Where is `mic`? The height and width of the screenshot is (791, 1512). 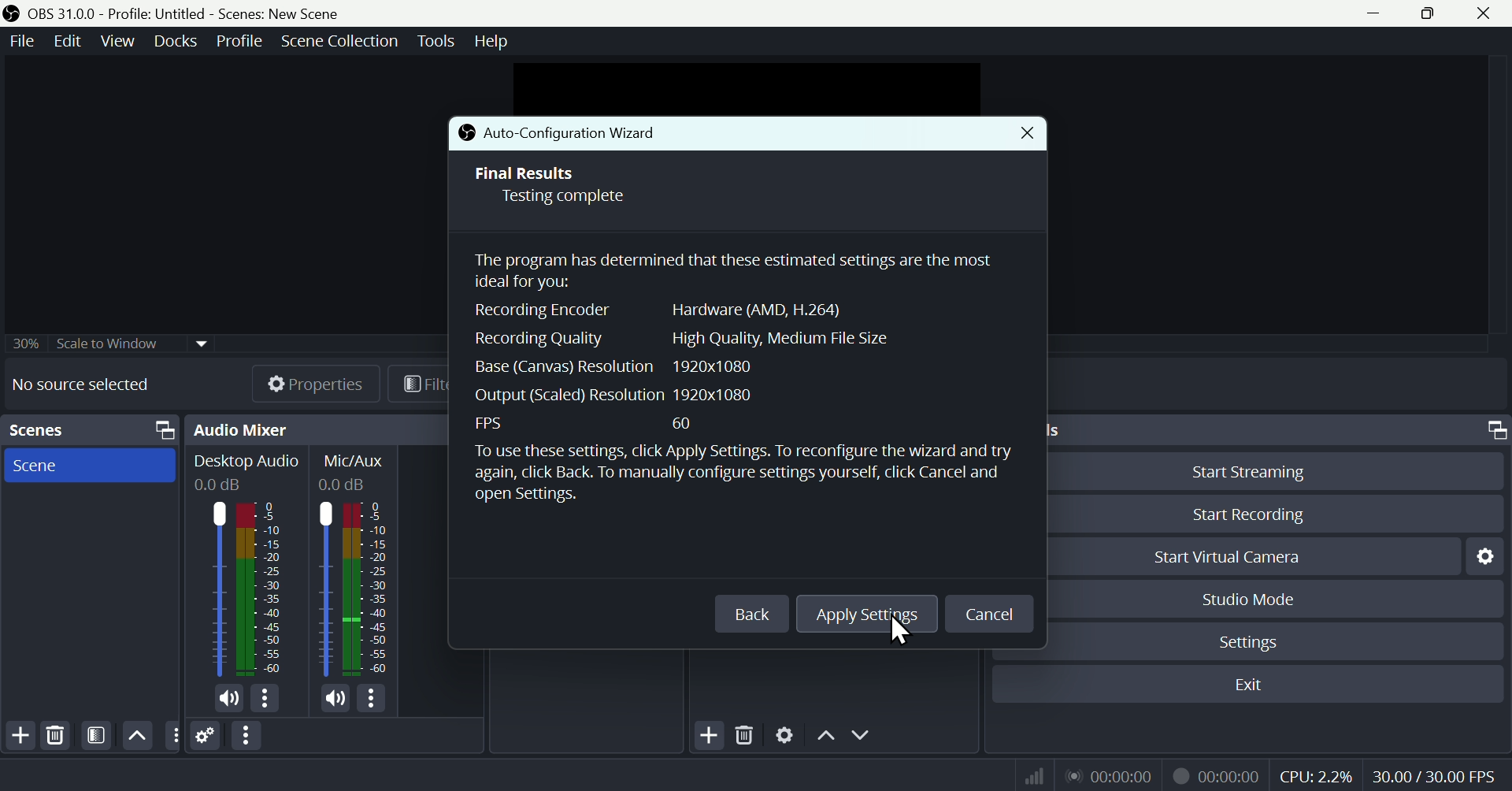
mic is located at coordinates (229, 699).